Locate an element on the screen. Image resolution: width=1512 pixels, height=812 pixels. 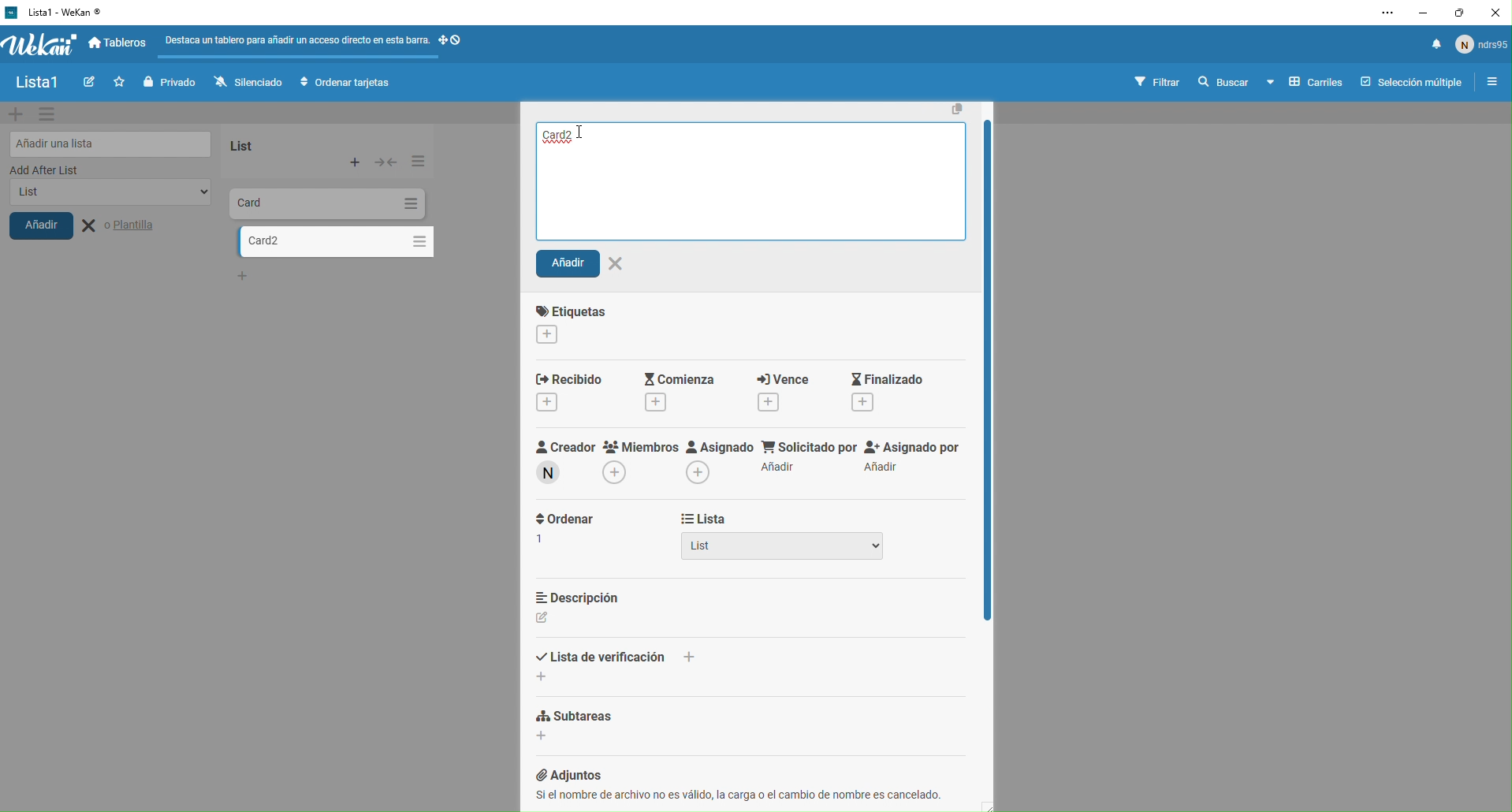
Favorites is located at coordinates (117, 81).